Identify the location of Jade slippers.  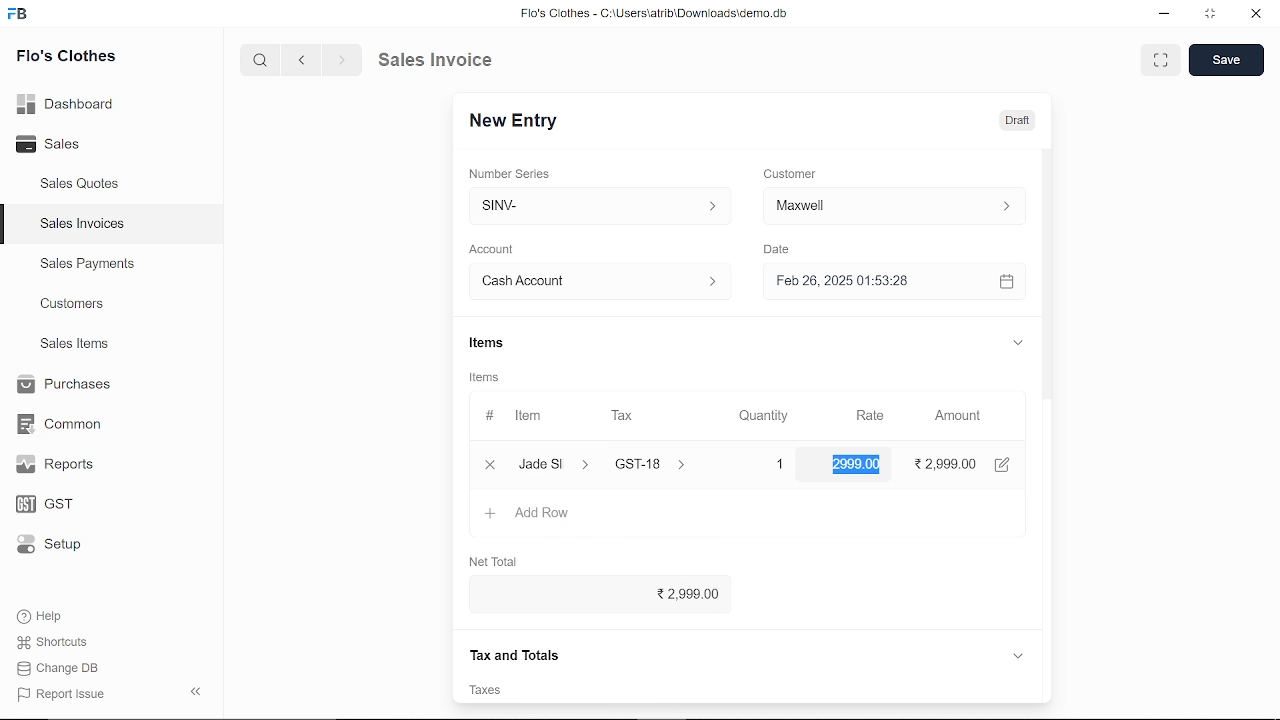
(555, 464).